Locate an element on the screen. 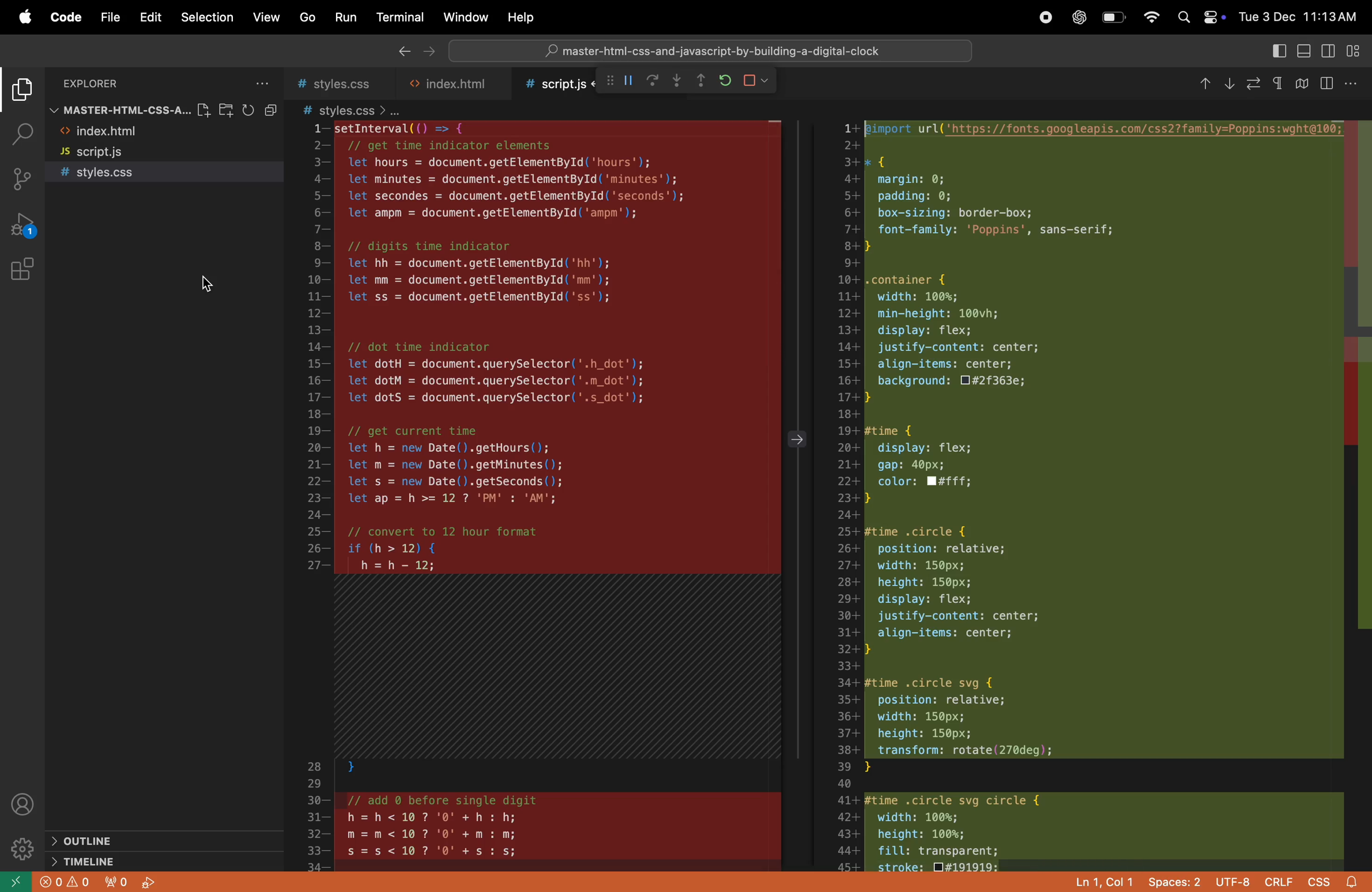  apple menu is located at coordinates (24, 18).